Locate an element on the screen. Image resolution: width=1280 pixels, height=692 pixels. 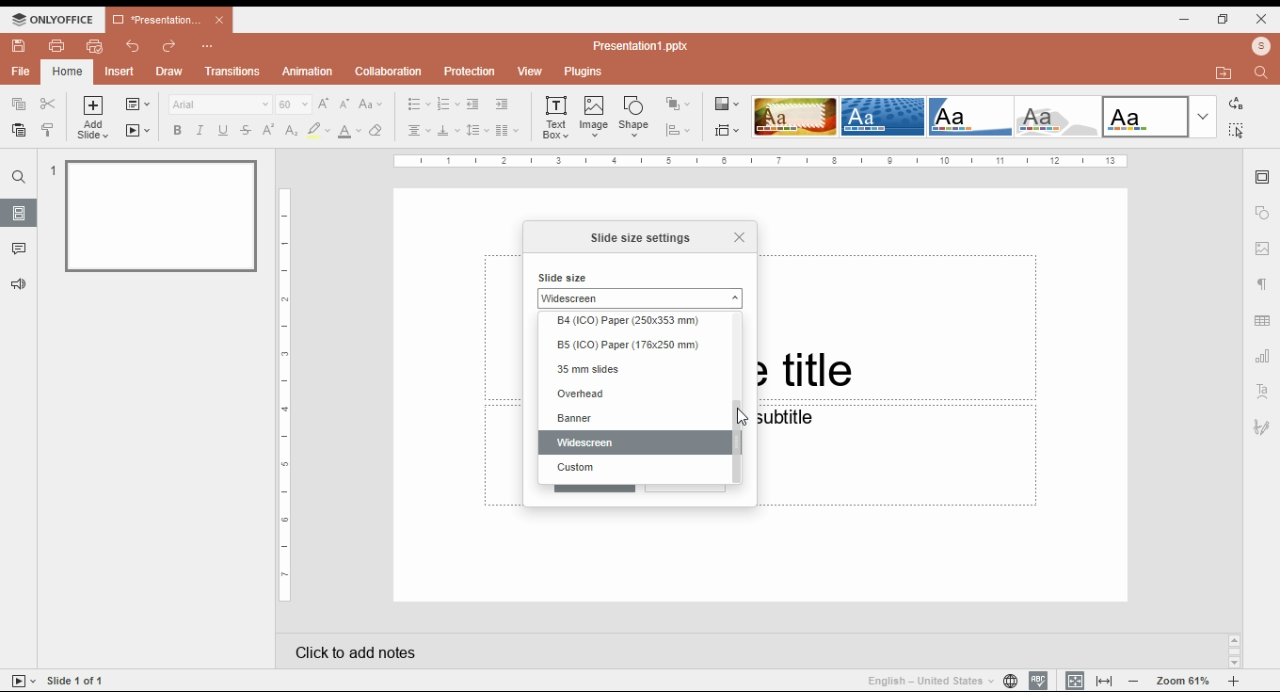
insert shape is located at coordinates (635, 116).